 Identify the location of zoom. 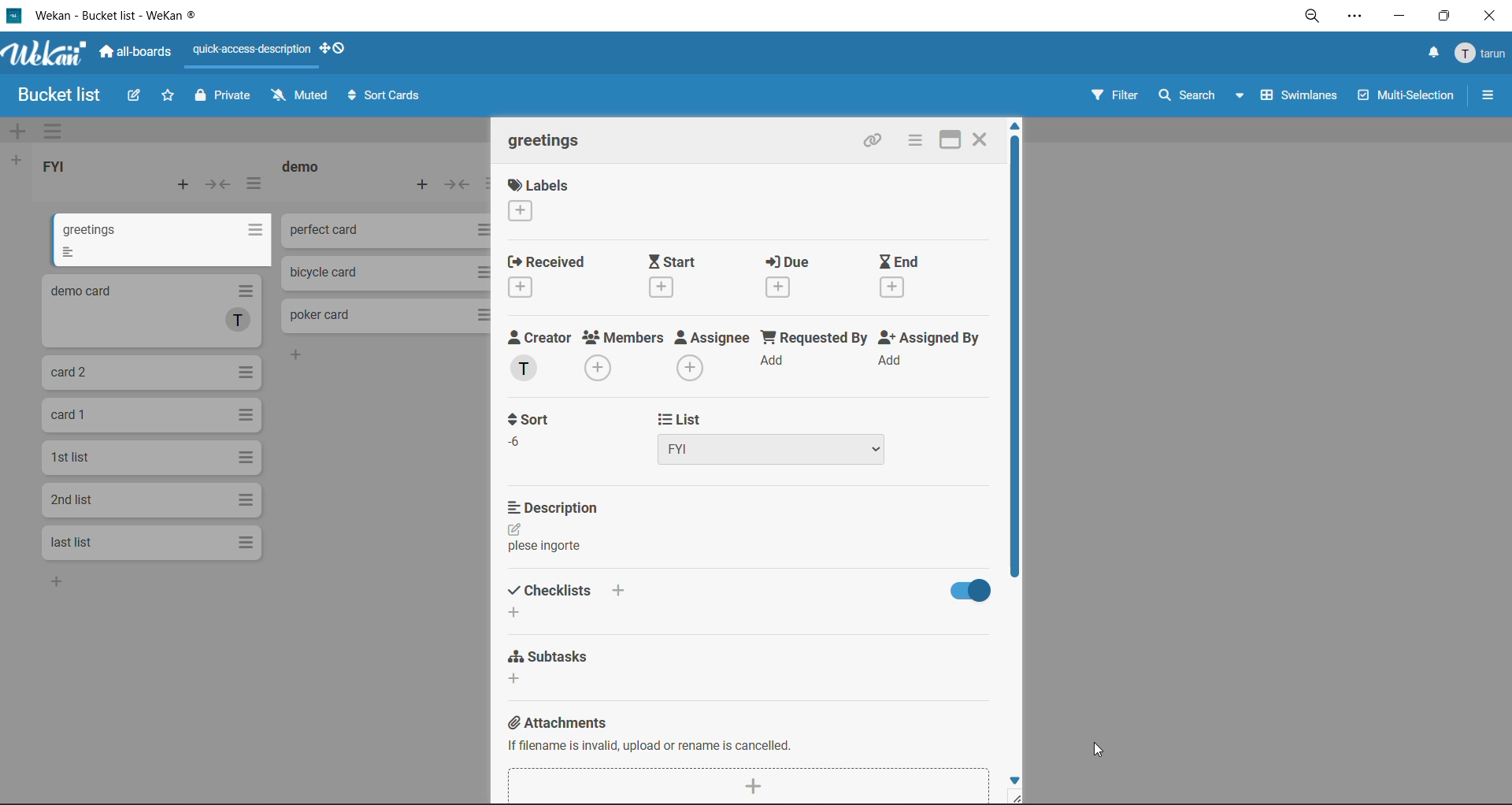
(1311, 18).